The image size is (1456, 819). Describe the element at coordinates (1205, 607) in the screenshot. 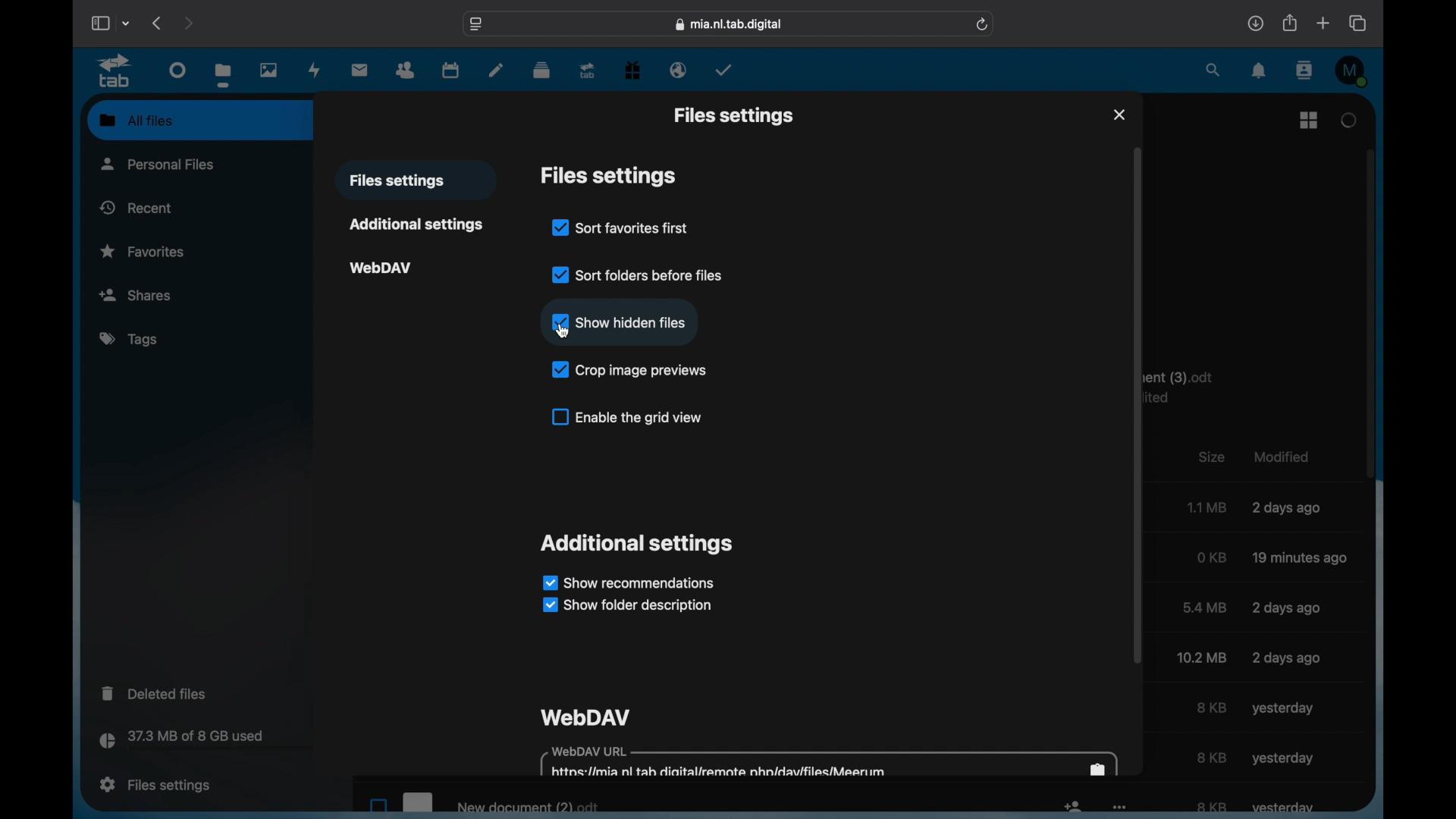

I see `size` at that location.